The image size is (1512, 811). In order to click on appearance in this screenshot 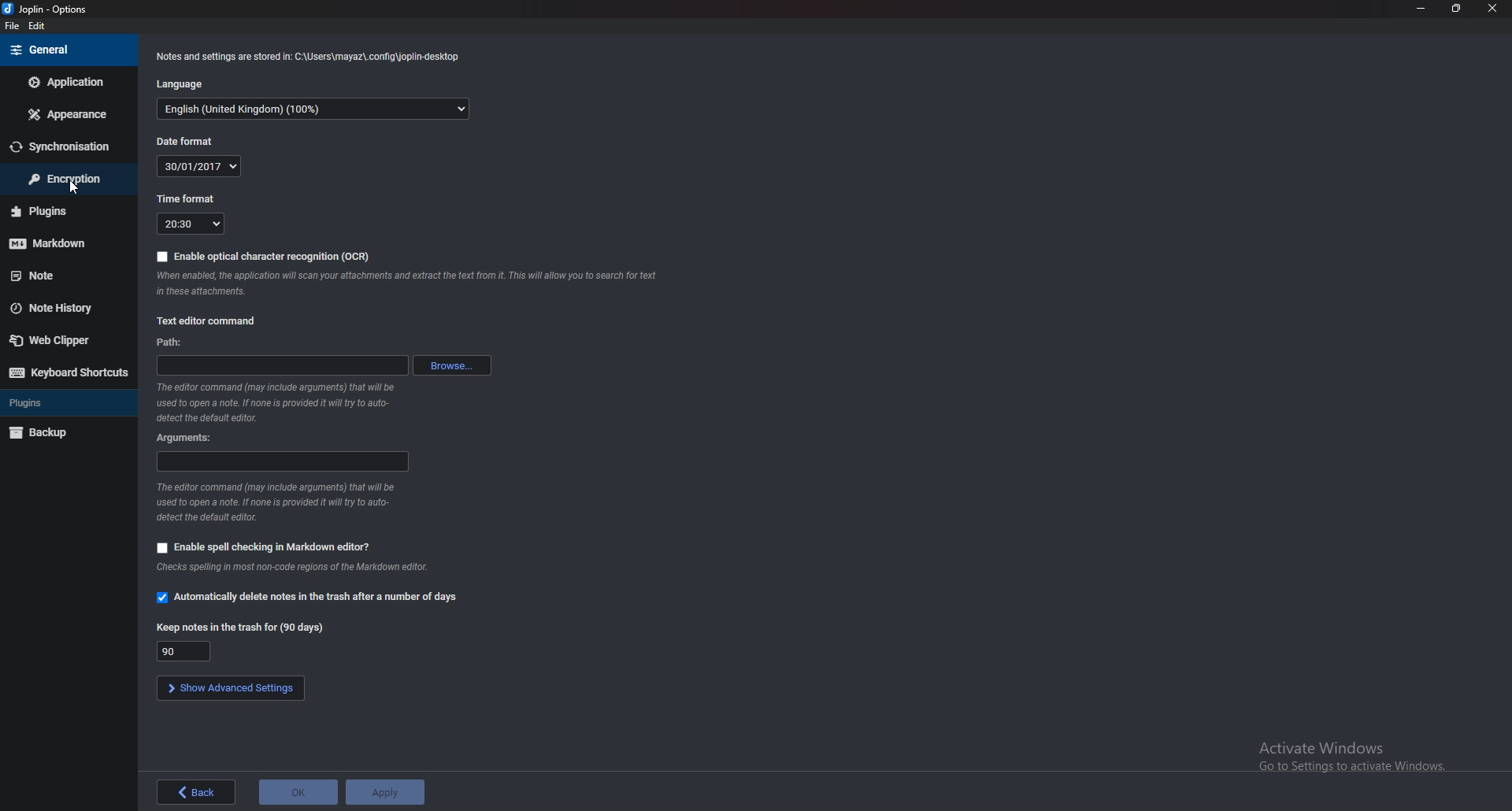, I will do `click(65, 113)`.